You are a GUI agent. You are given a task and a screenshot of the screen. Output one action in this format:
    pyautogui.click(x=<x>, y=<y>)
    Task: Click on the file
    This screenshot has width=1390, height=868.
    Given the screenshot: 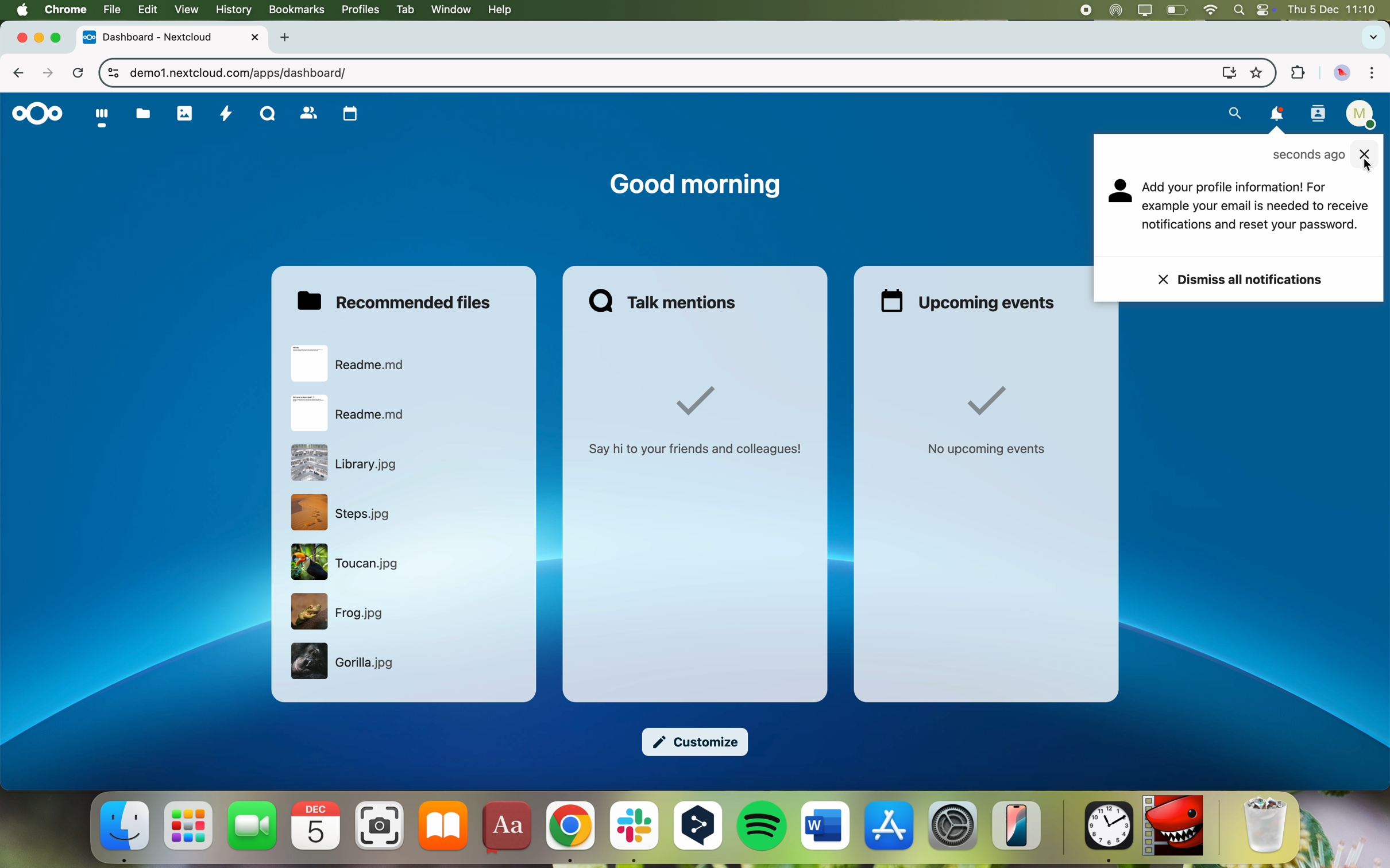 What is the action you would take?
    pyautogui.click(x=352, y=363)
    